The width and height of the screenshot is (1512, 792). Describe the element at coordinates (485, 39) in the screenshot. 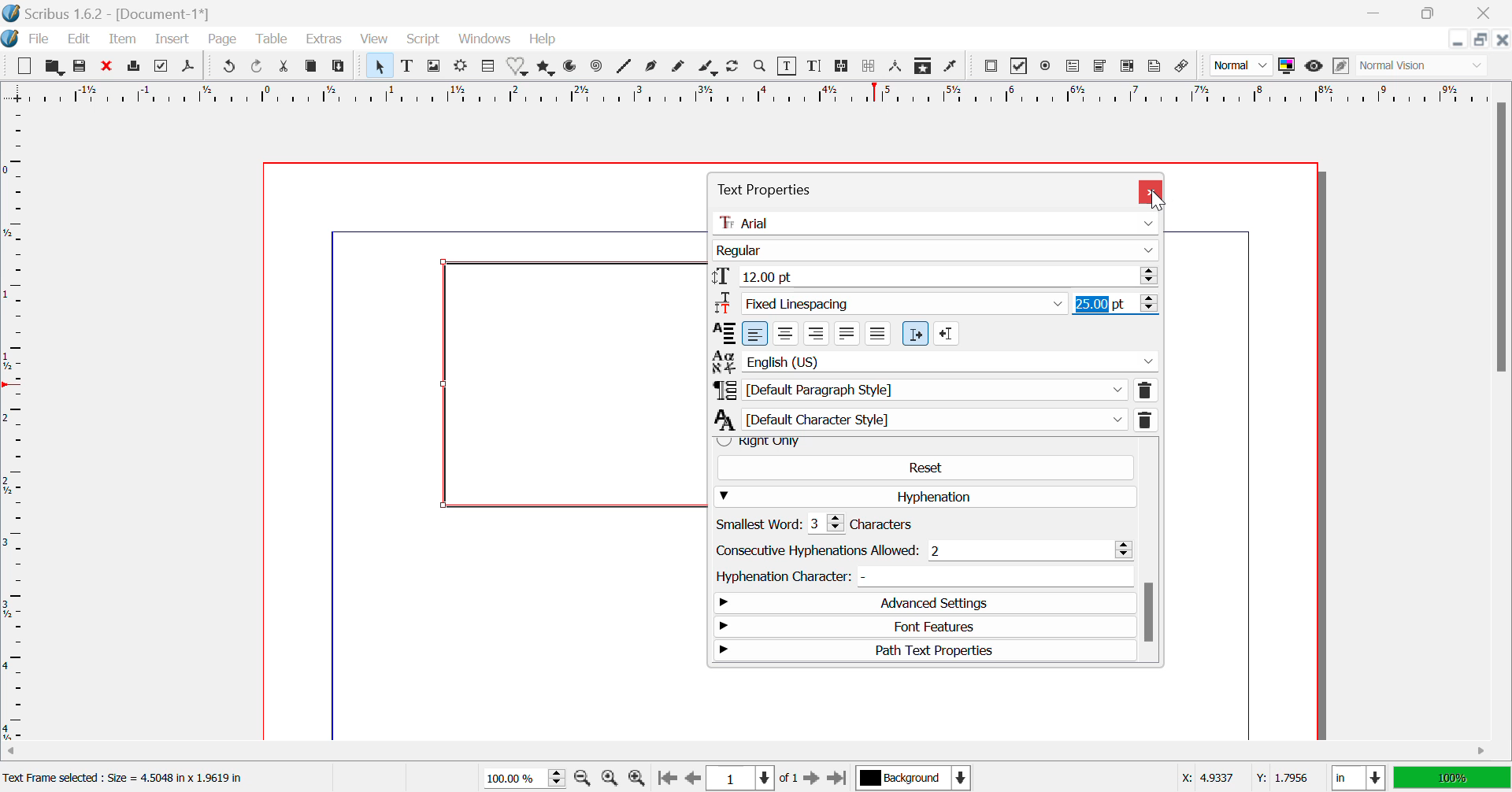

I see `Windows` at that location.